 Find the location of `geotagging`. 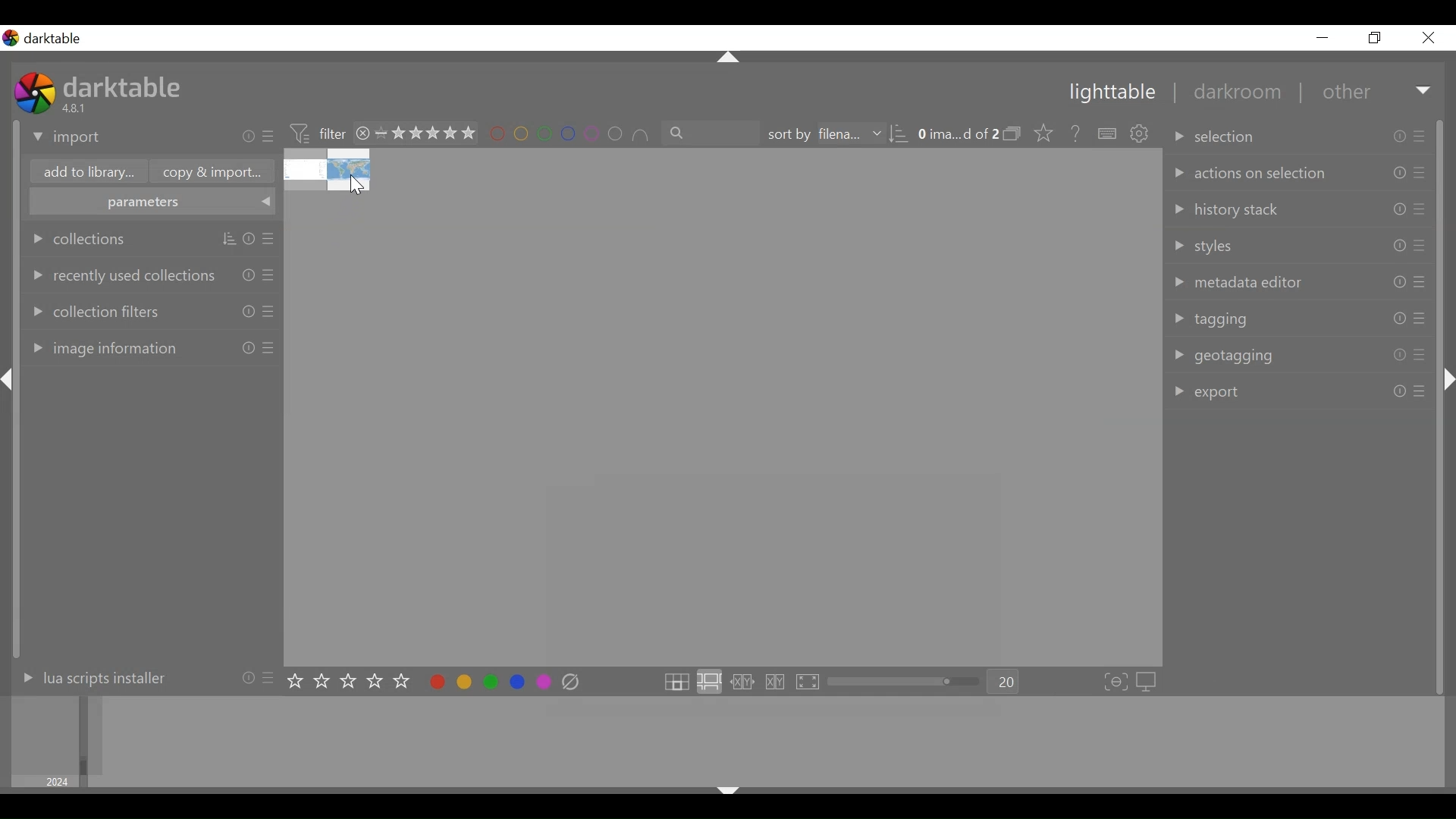

geotagging is located at coordinates (1259, 354).